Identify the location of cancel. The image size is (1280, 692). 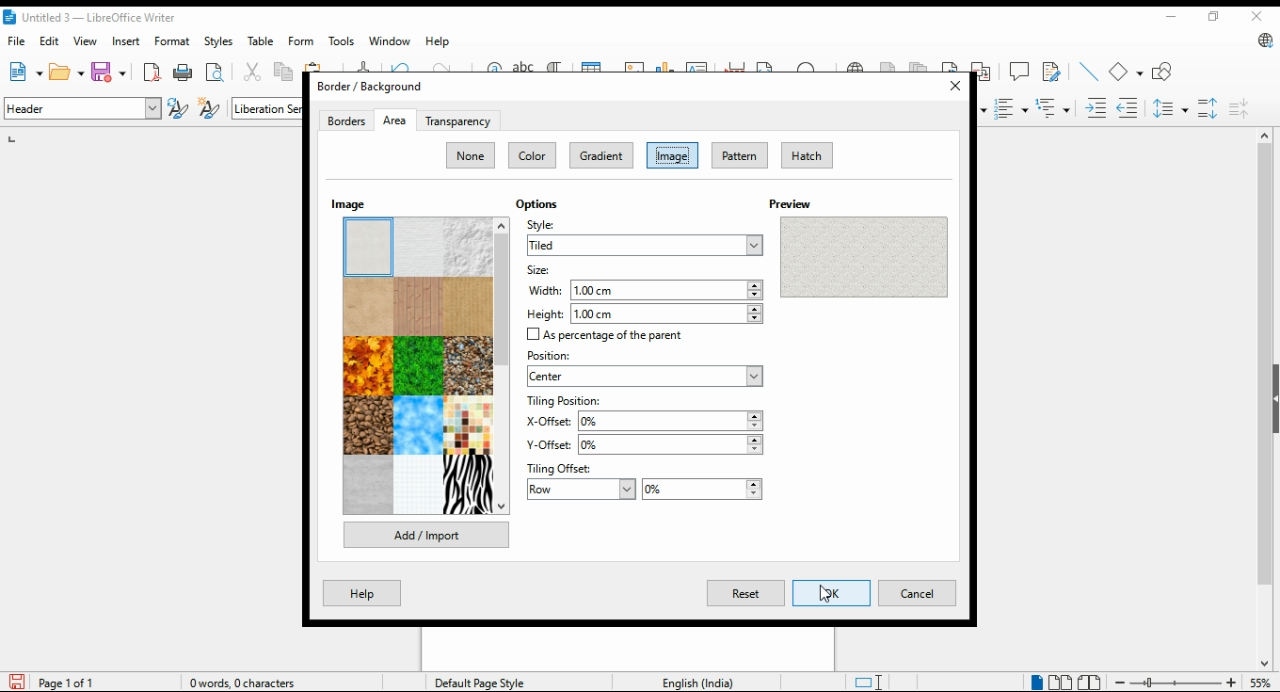
(917, 592).